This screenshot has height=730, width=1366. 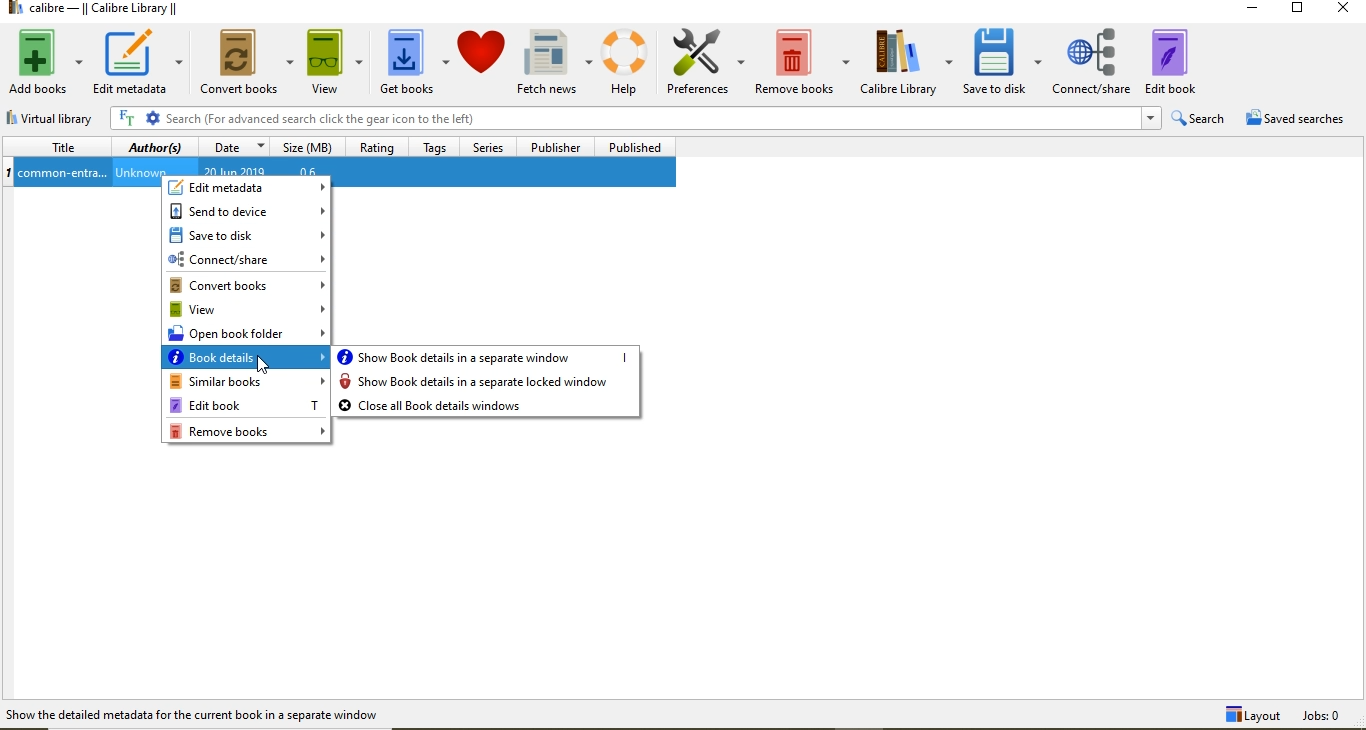 I want to click on save to disk, so click(x=1004, y=63).